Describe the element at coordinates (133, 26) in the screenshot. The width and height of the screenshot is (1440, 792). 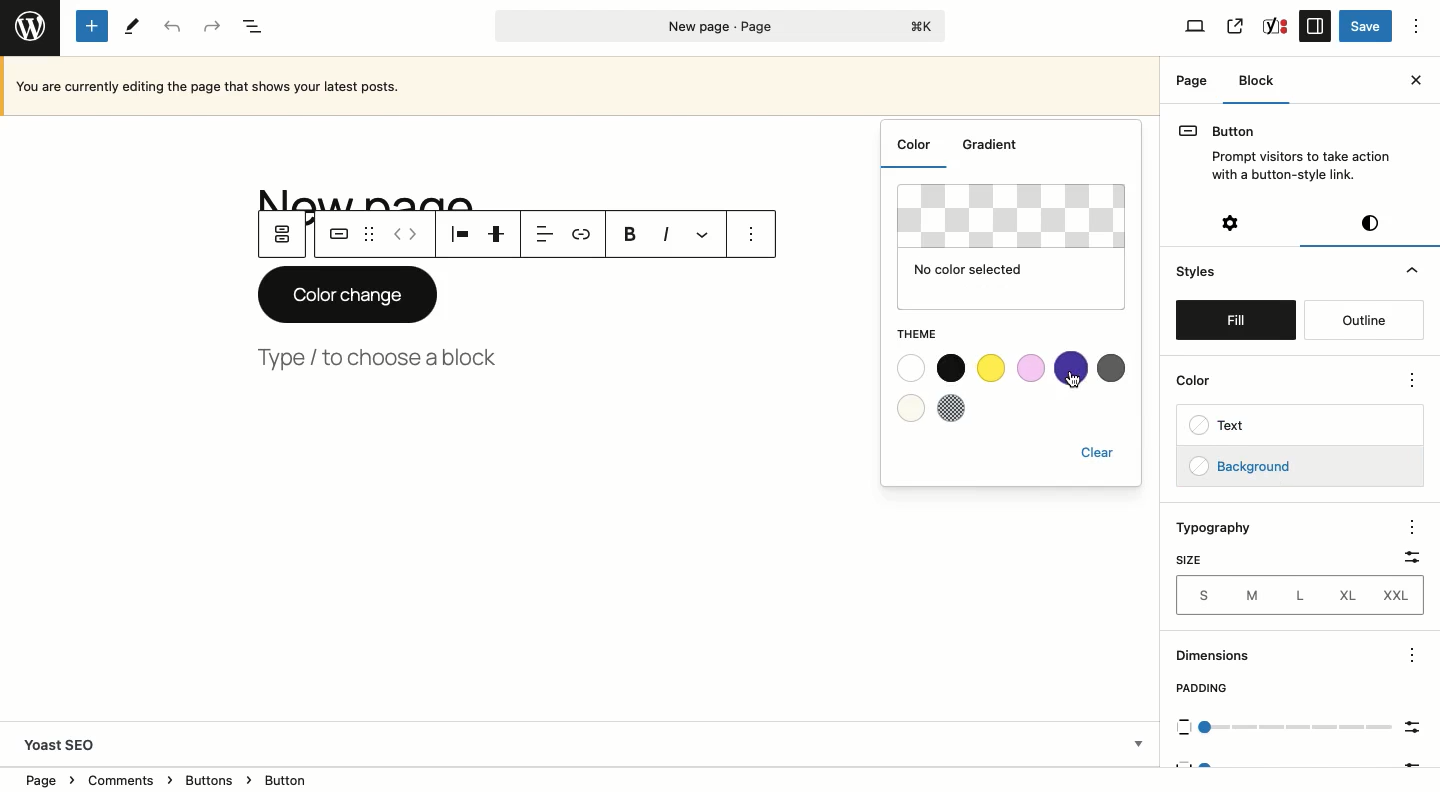
I see `Tools` at that location.